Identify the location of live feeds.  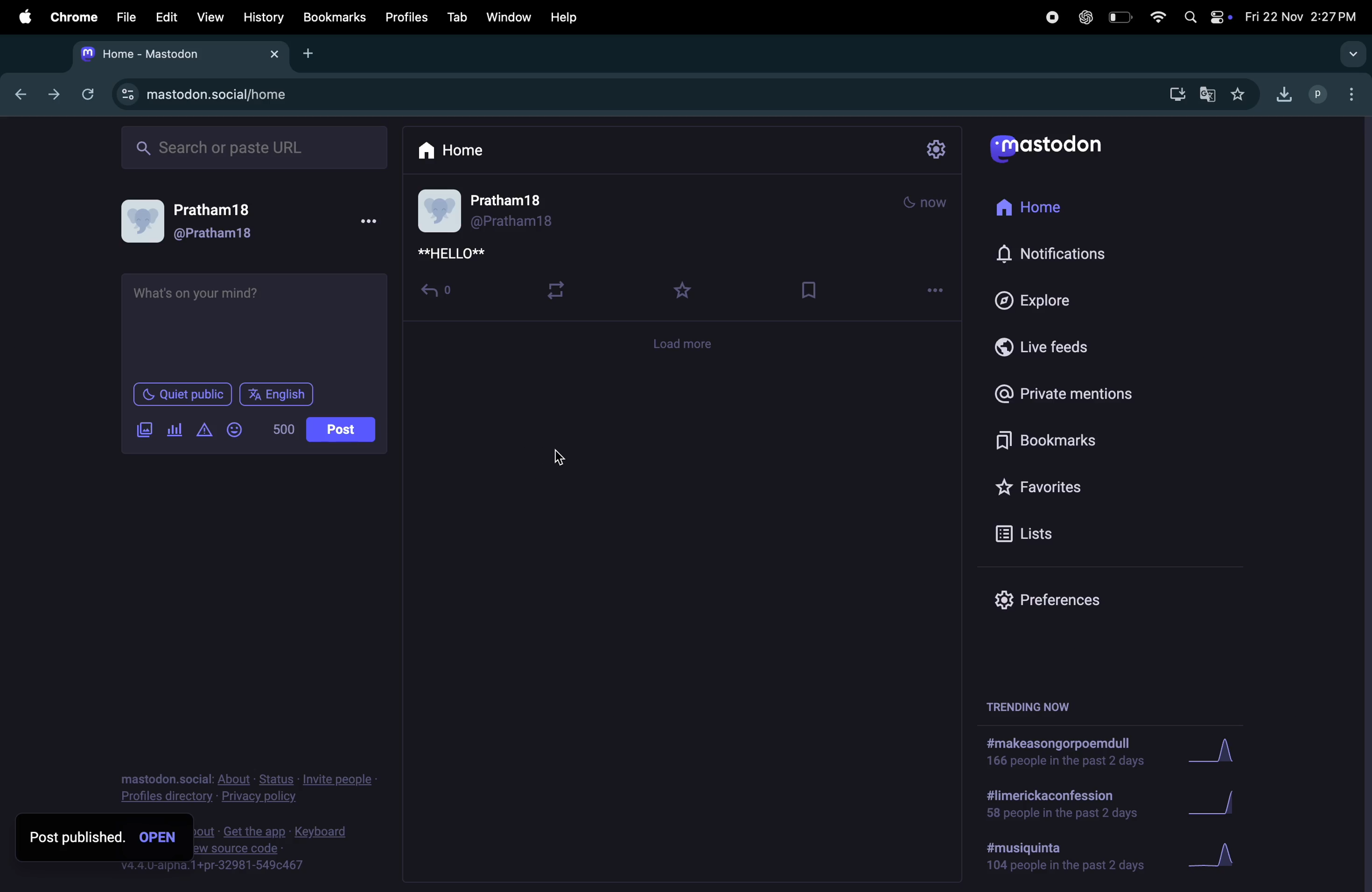
(1056, 346).